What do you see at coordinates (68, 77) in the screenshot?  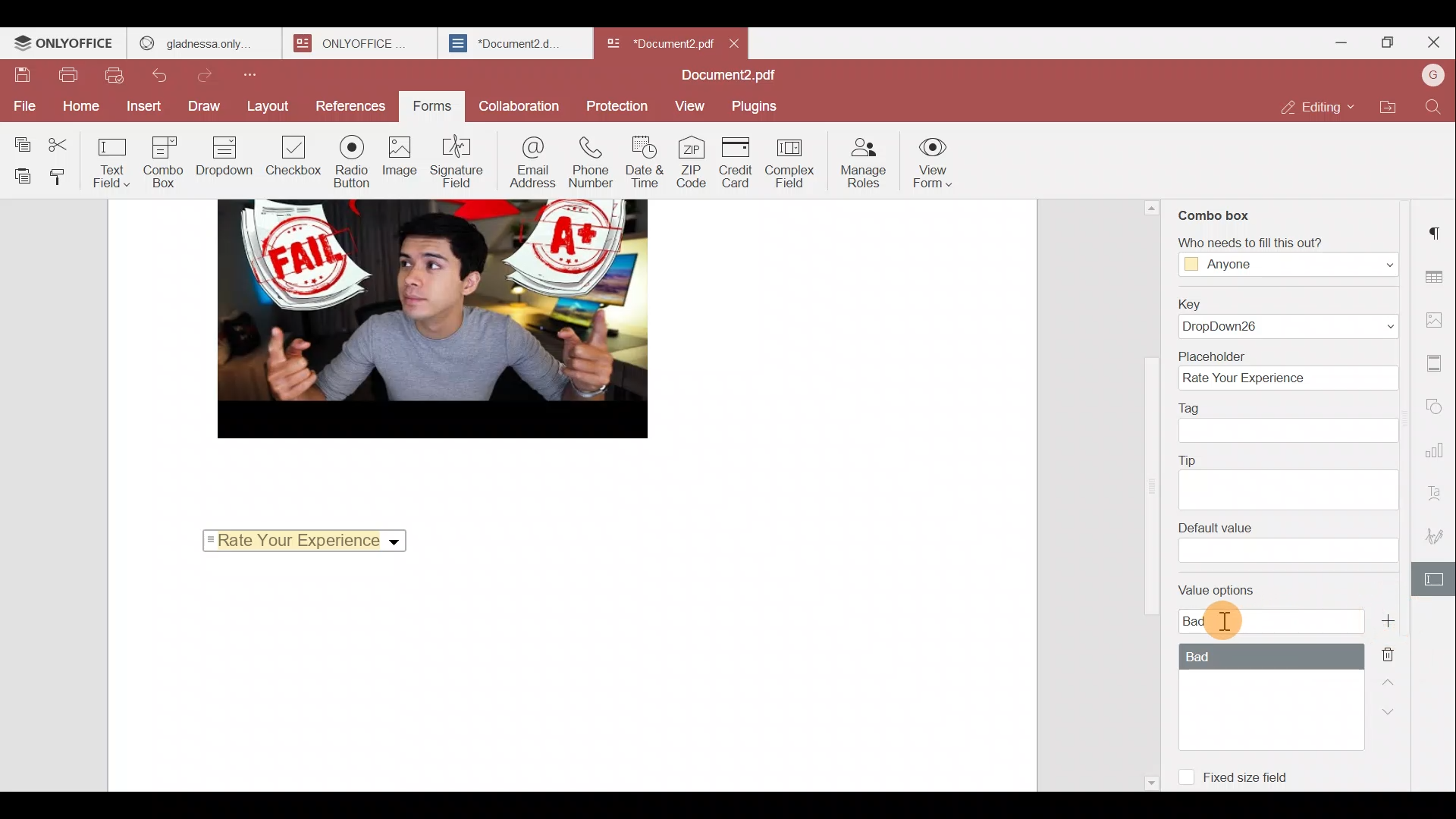 I see `Print file` at bounding box center [68, 77].